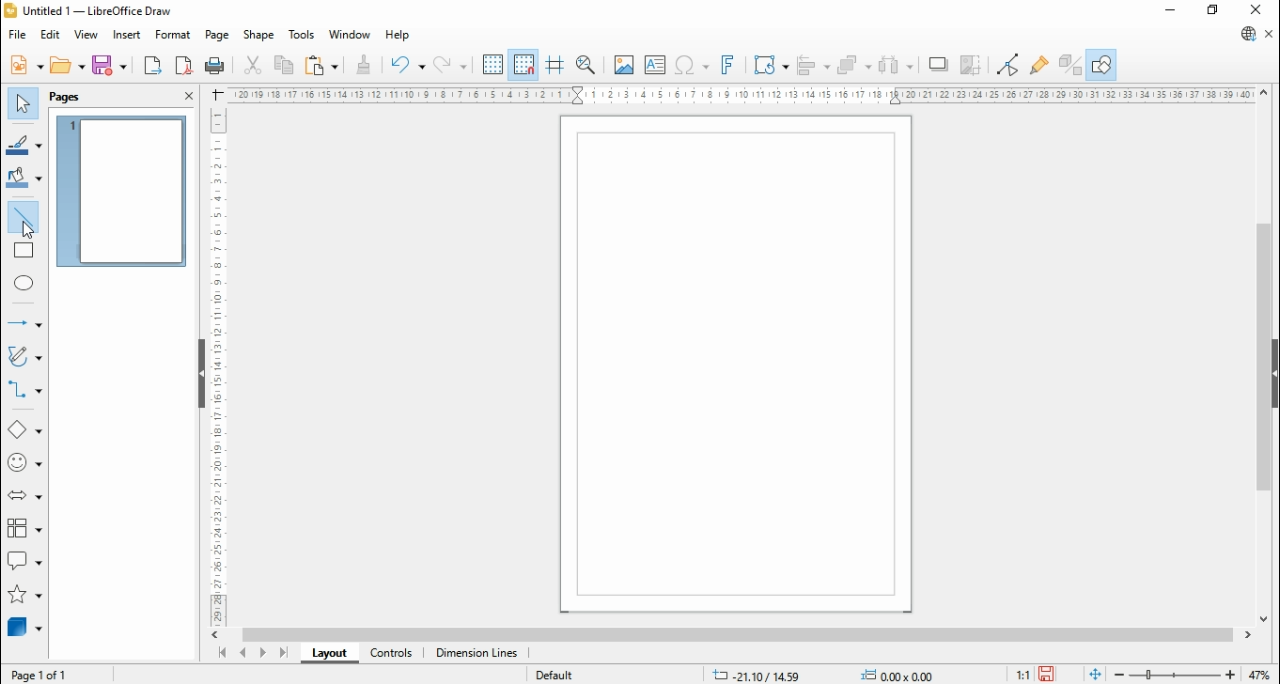 Image resolution: width=1280 pixels, height=684 pixels. Describe the element at coordinates (25, 66) in the screenshot. I see `new` at that location.